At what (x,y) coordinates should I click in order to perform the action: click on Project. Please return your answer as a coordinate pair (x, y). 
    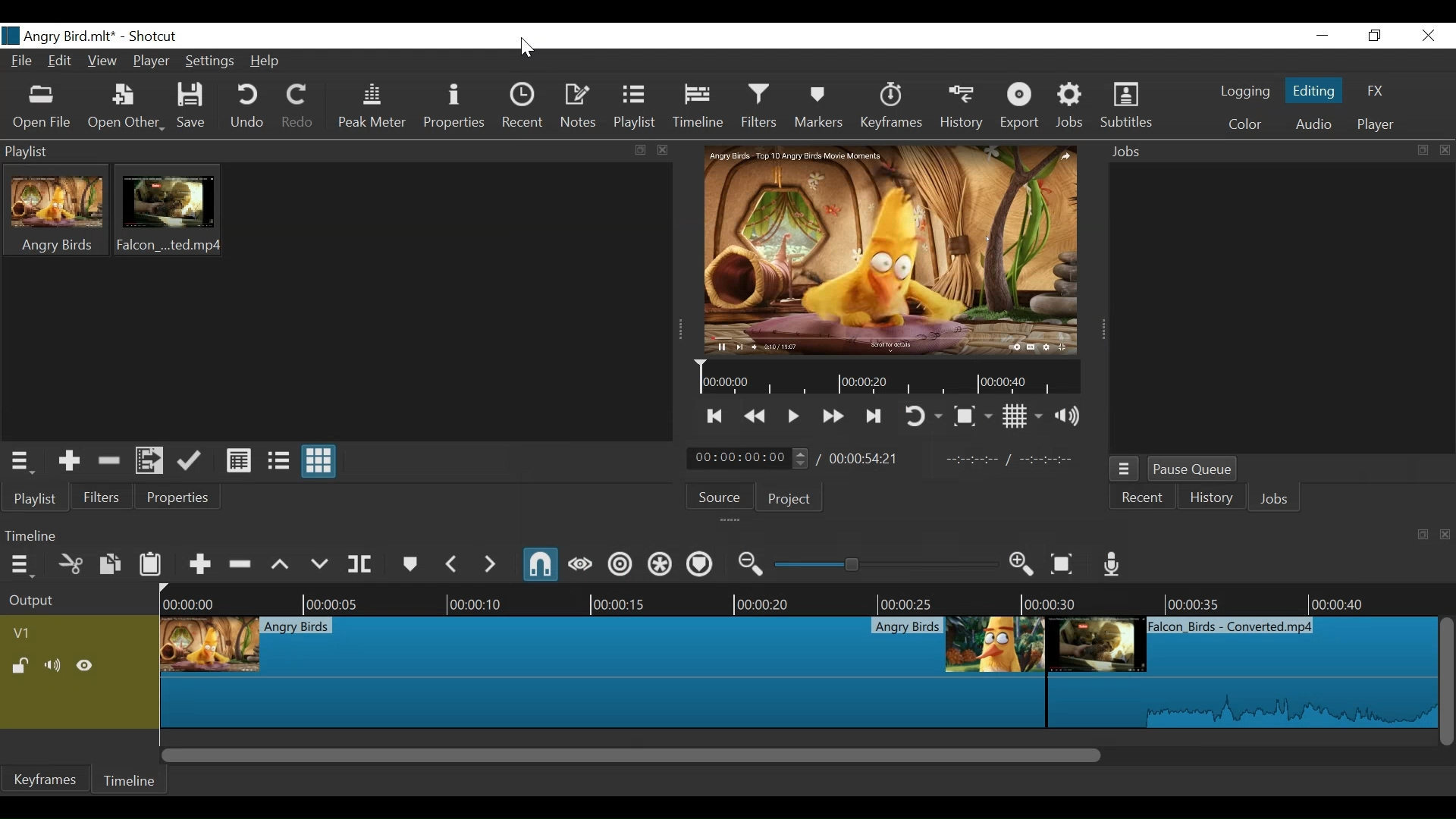
    Looking at the image, I should click on (793, 499).